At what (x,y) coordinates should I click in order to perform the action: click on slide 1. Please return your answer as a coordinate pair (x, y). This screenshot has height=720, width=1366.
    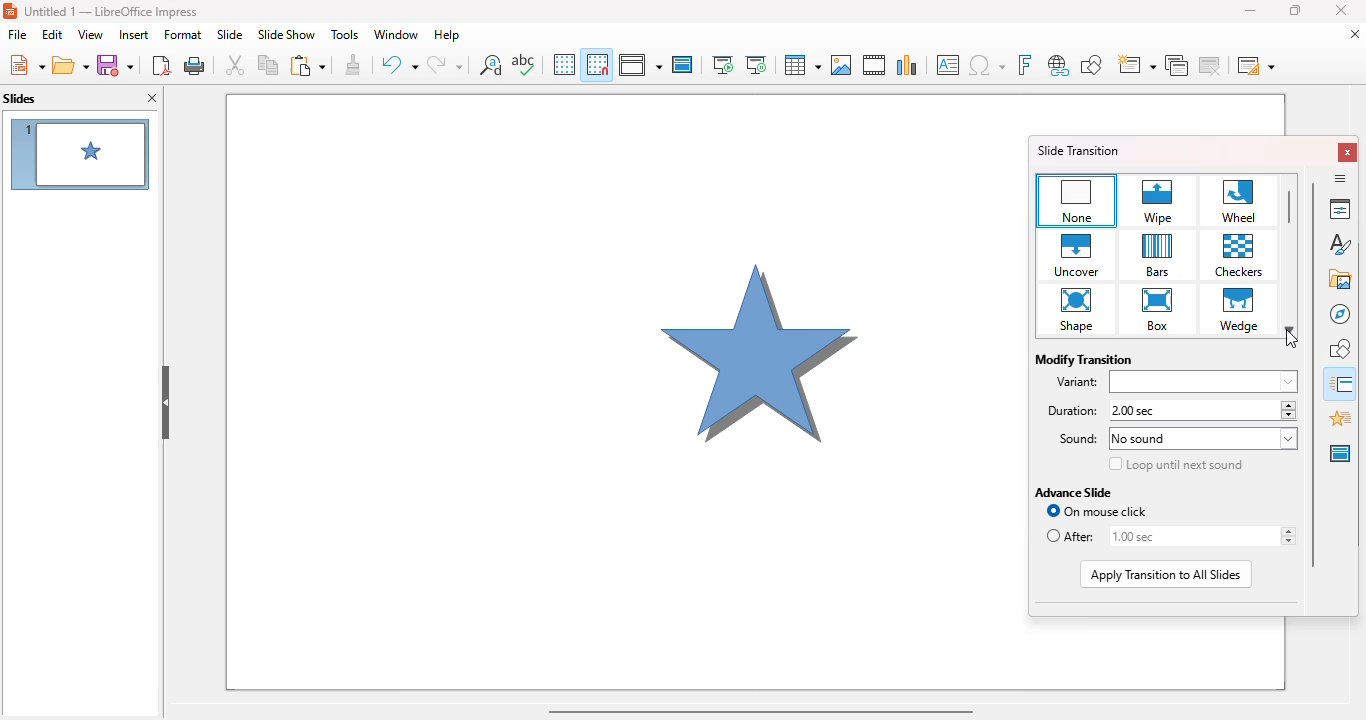
    Looking at the image, I should click on (79, 154).